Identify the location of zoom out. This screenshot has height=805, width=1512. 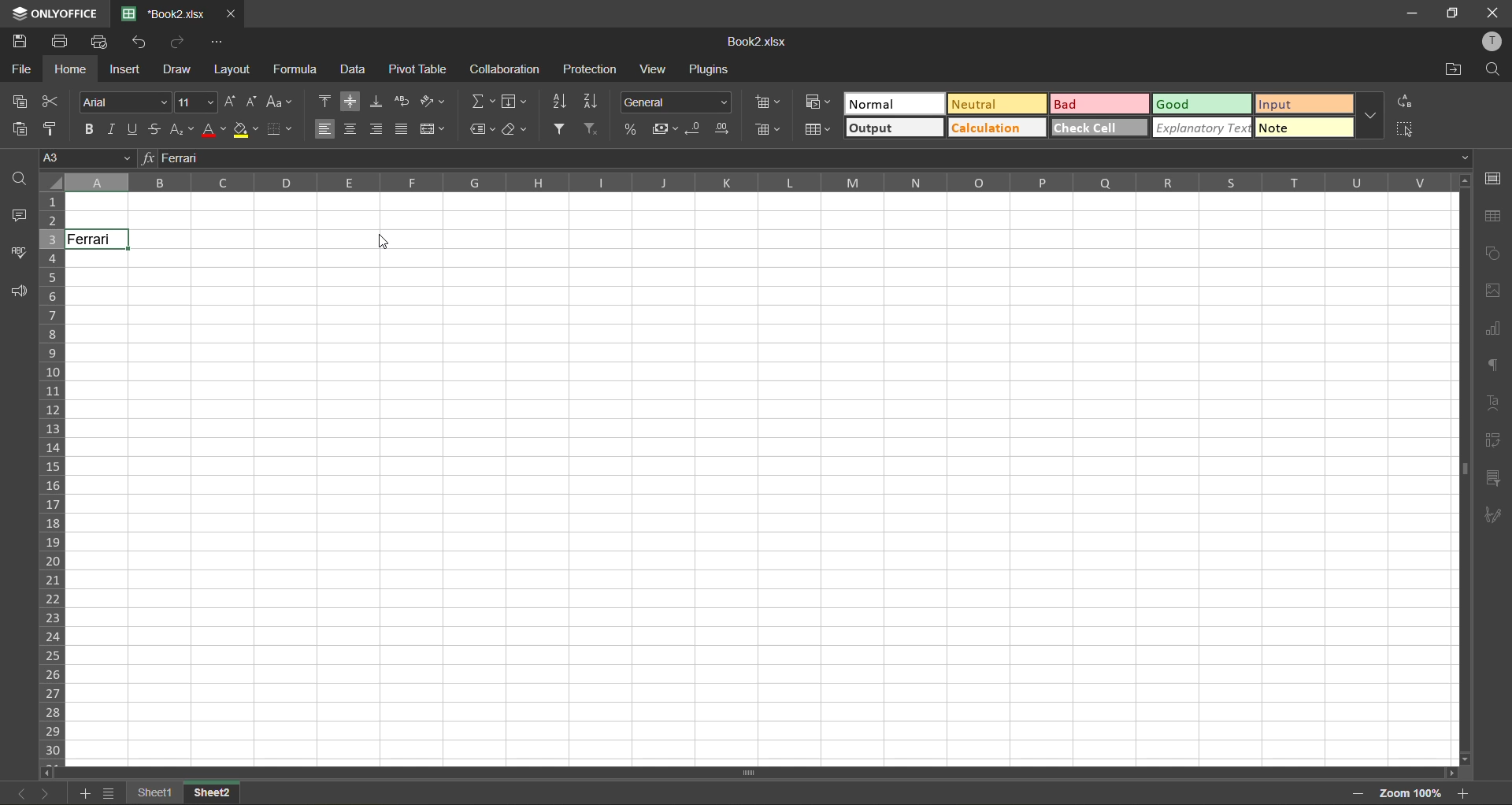
(1358, 792).